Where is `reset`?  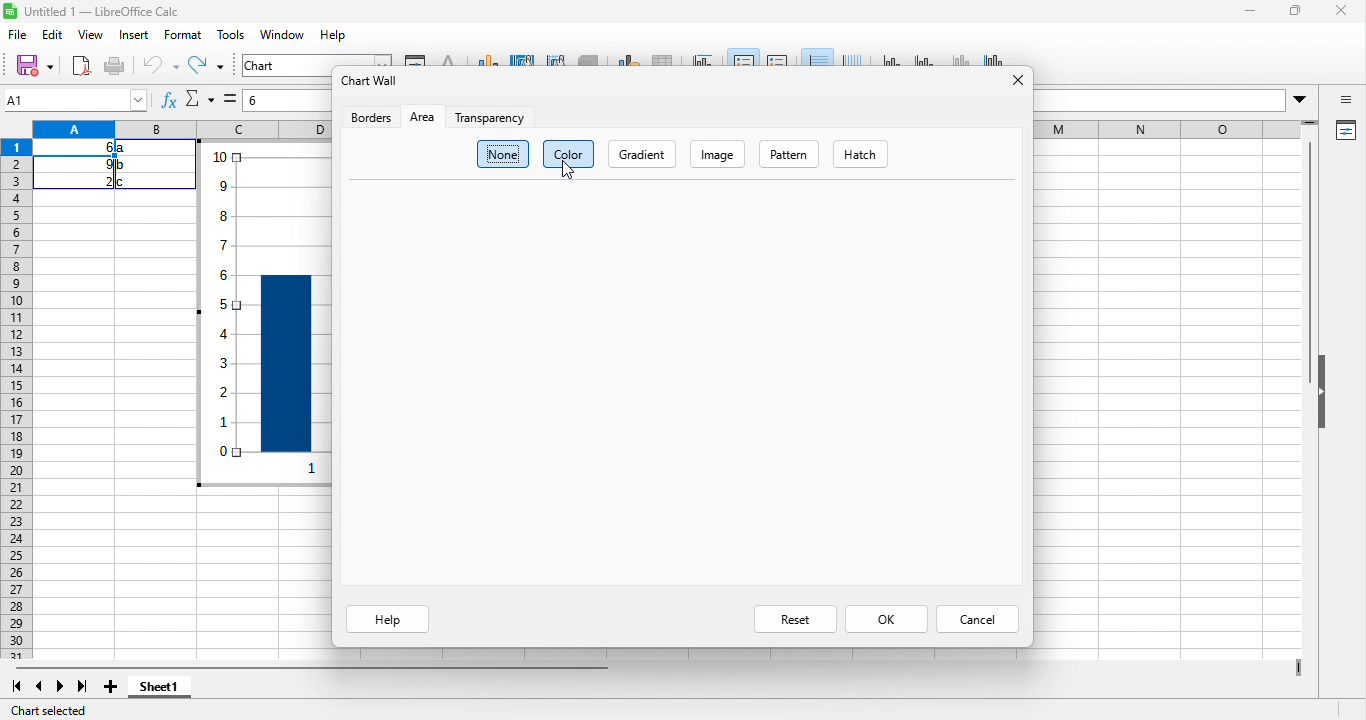
reset is located at coordinates (793, 618).